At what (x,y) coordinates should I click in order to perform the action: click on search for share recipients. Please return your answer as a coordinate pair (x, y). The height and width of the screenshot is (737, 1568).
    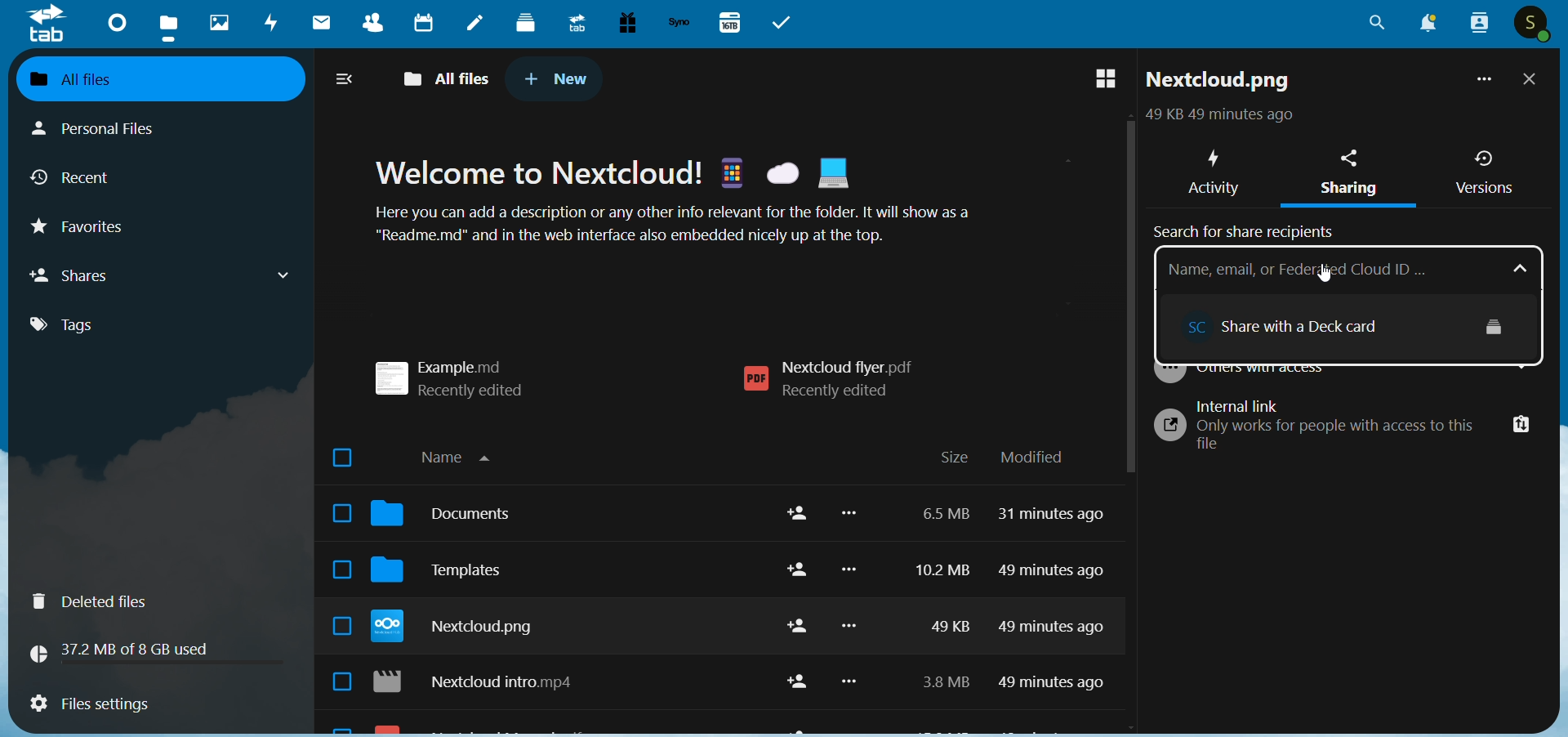
    Looking at the image, I should click on (1249, 229).